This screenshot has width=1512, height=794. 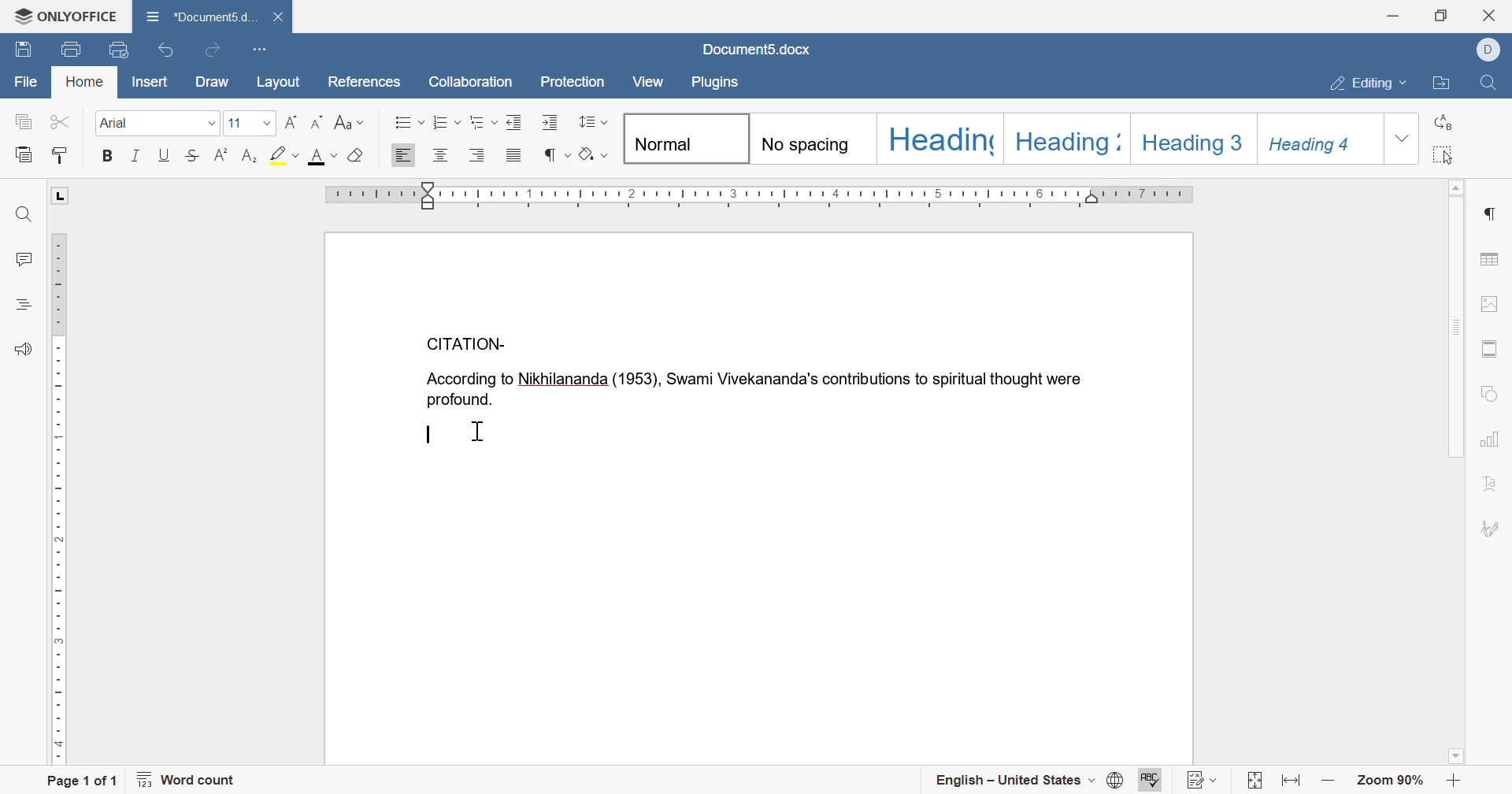 What do you see at coordinates (1489, 211) in the screenshot?
I see `paragraph settings` at bounding box center [1489, 211].